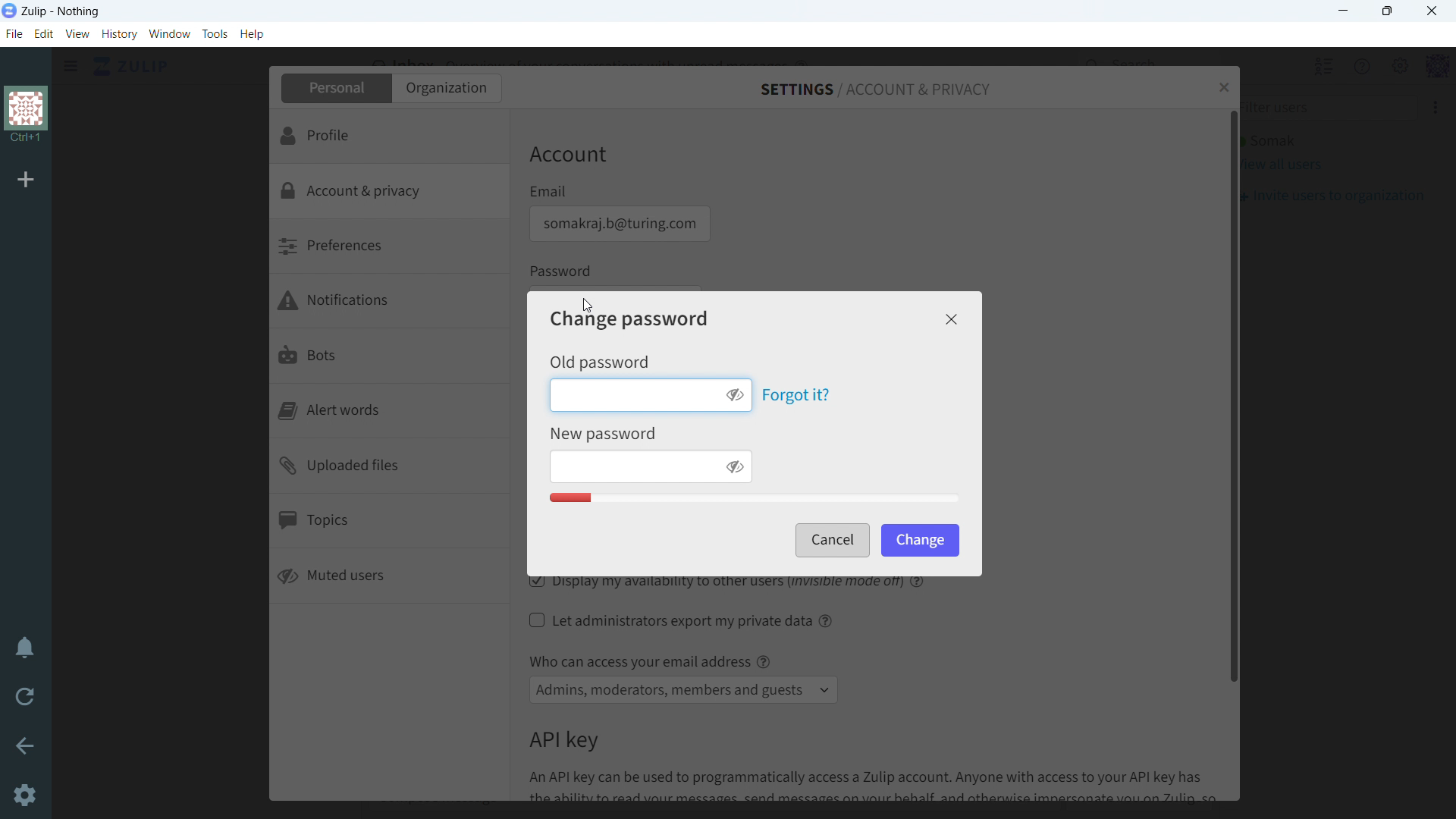  What do you see at coordinates (599, 362) in the screenshot?
I see `Old password` at bounding box center [599, 362].